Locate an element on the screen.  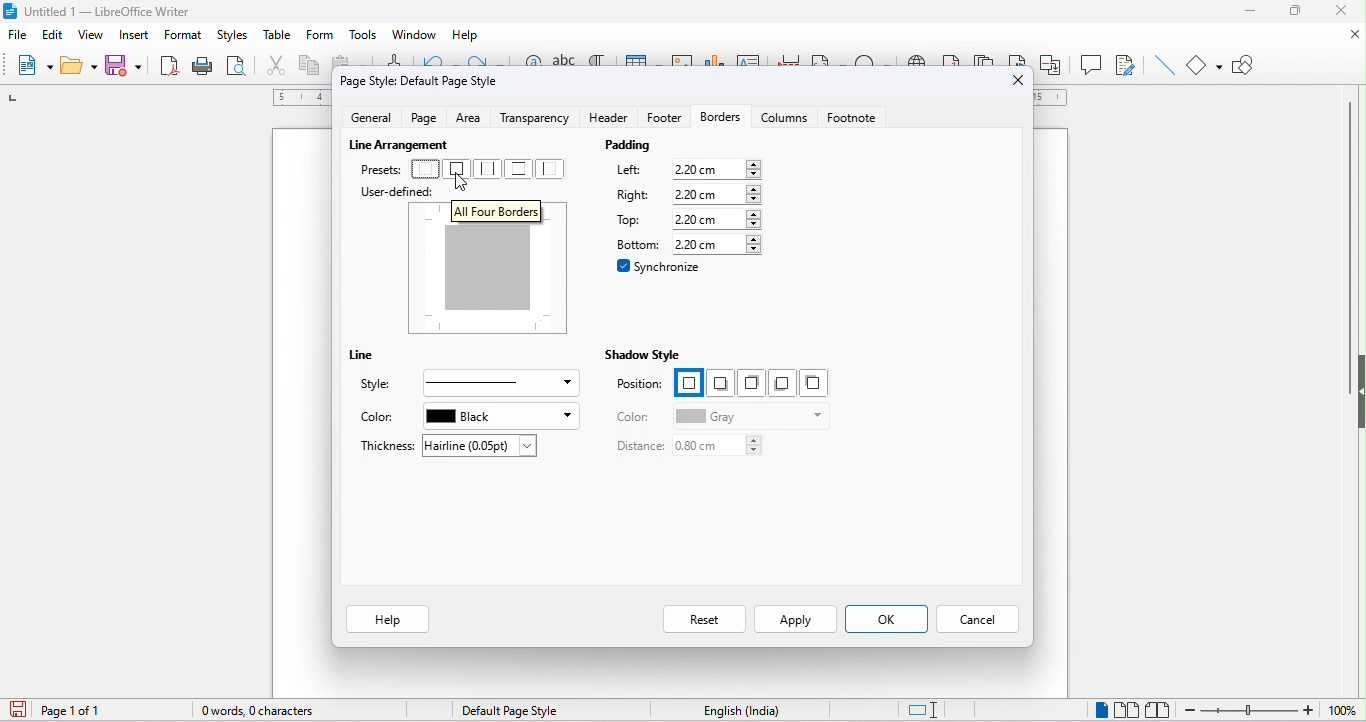
color is located at coordinates (635, 417).